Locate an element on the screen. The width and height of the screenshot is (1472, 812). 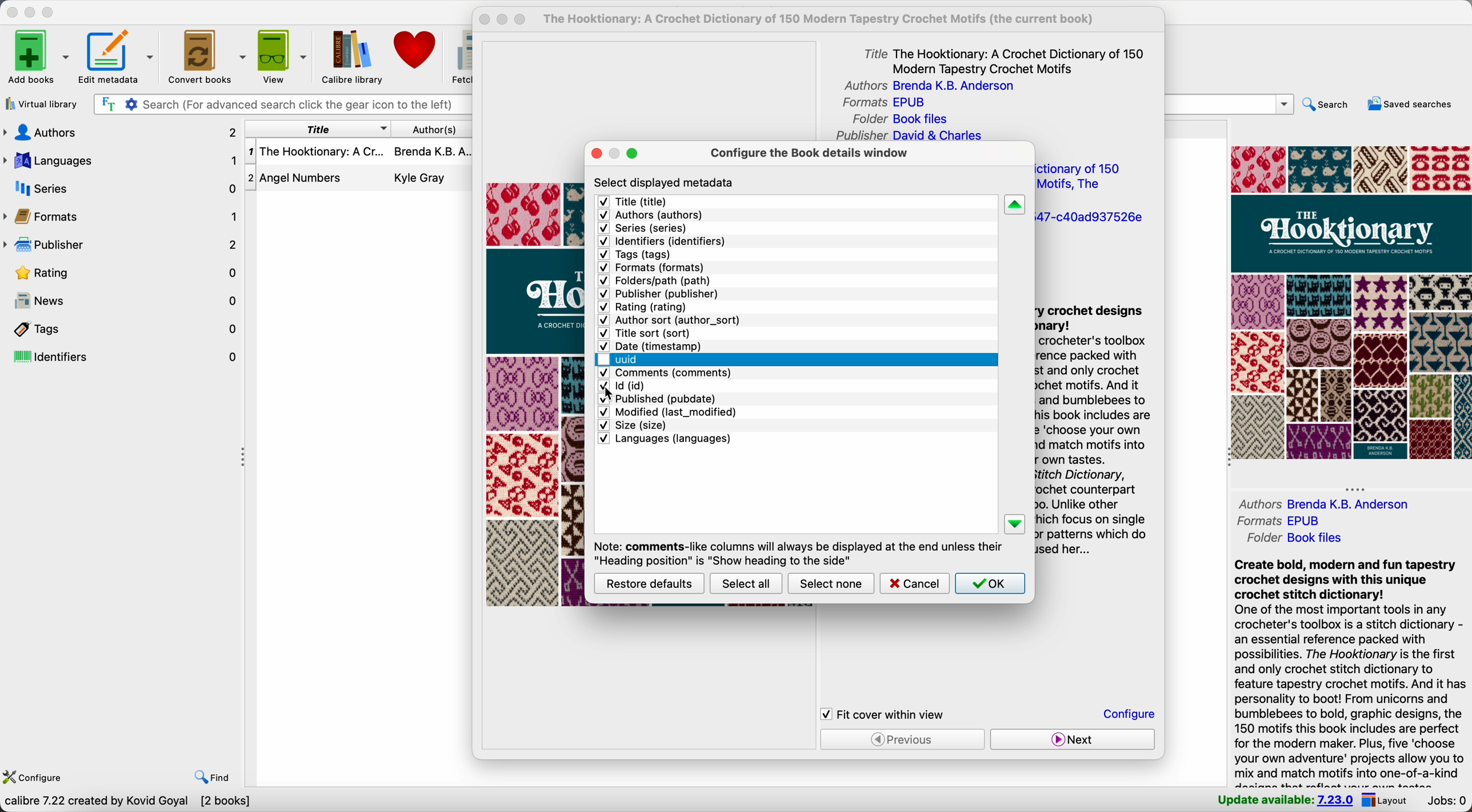
author is located at coordinates (1326, 503).